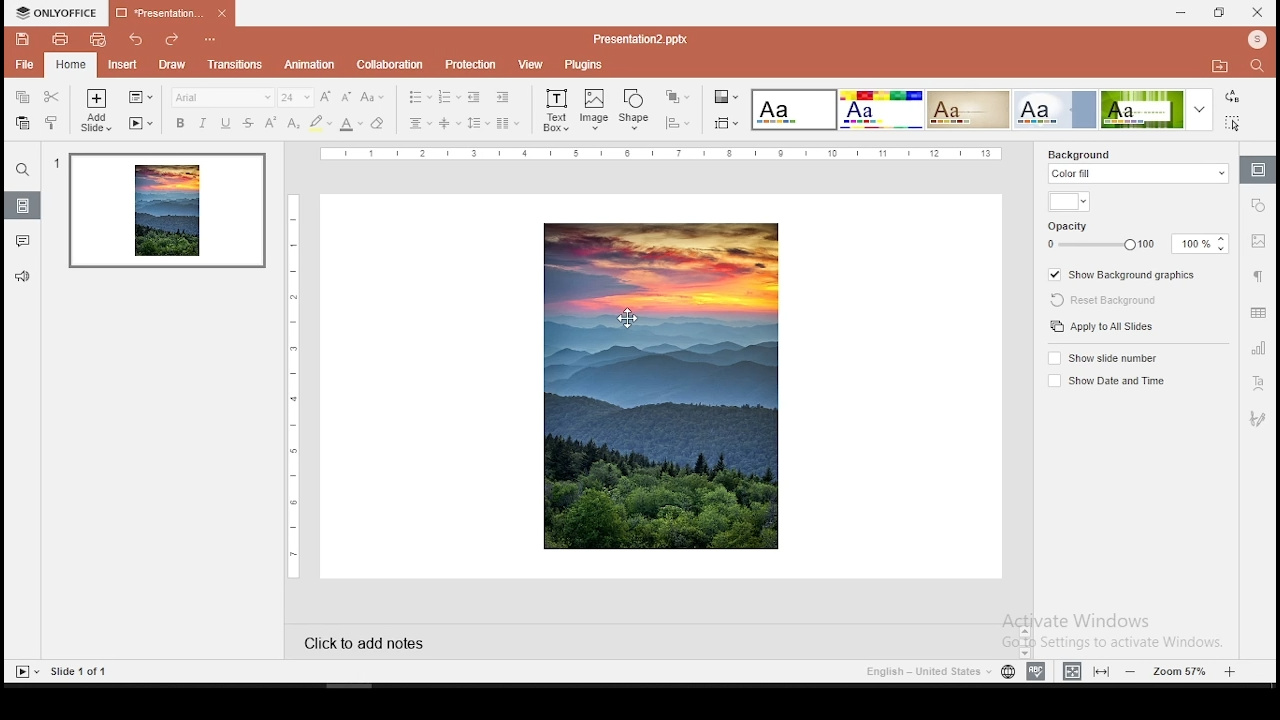  I want to click on zoom level, so click(1183, 670).